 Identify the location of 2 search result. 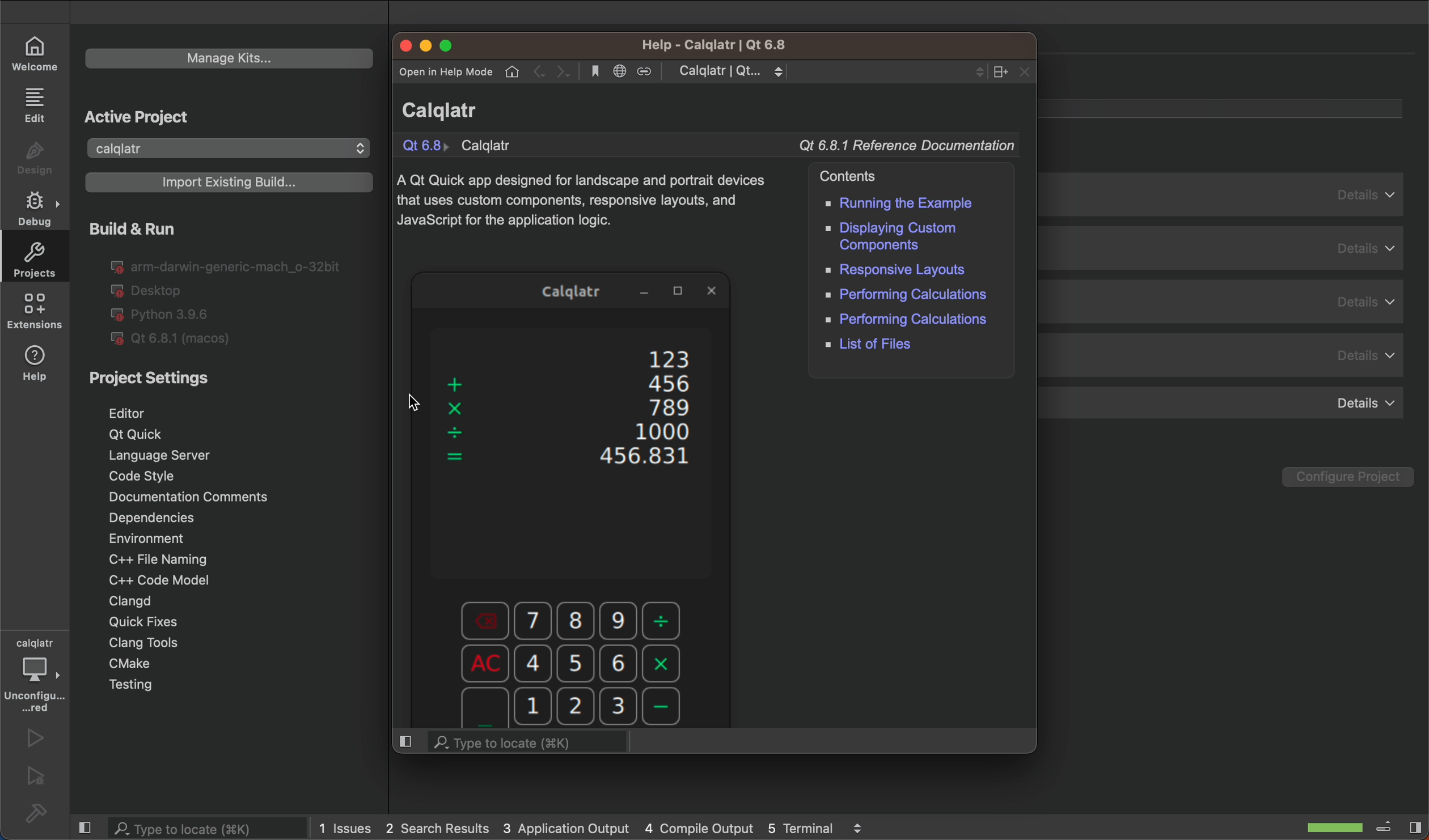
(439, 828).